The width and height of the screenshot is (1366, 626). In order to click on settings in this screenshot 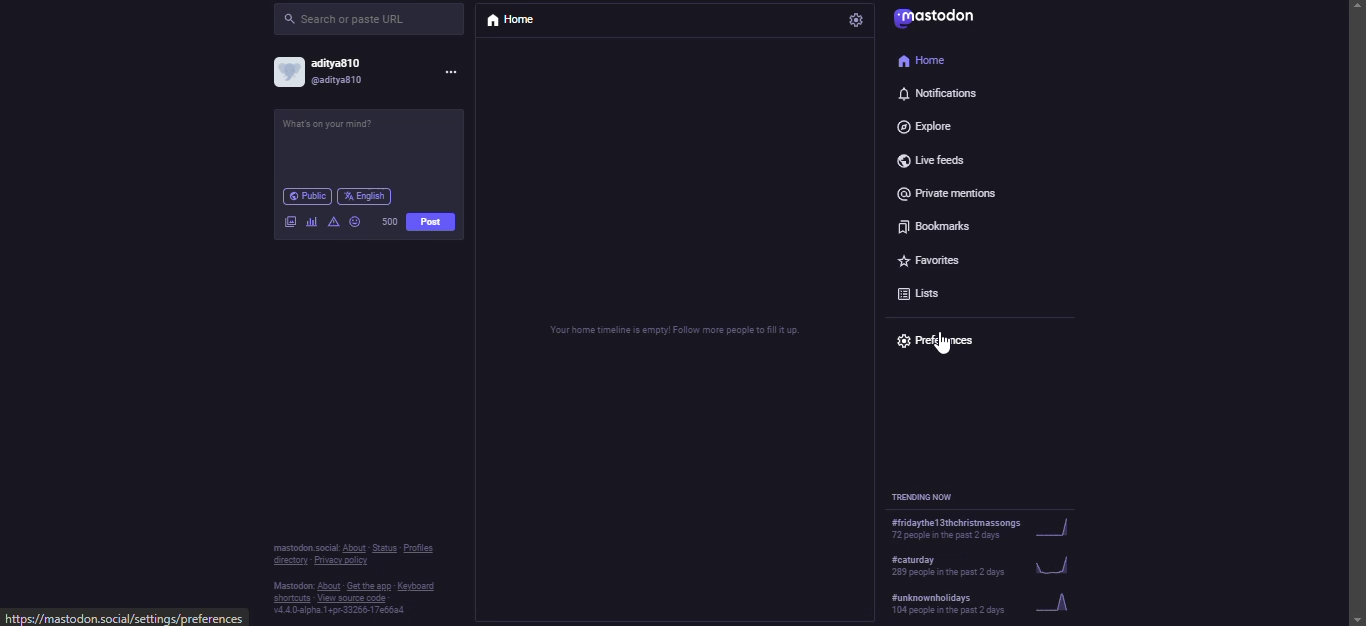, I will do `click(855, 21)`.